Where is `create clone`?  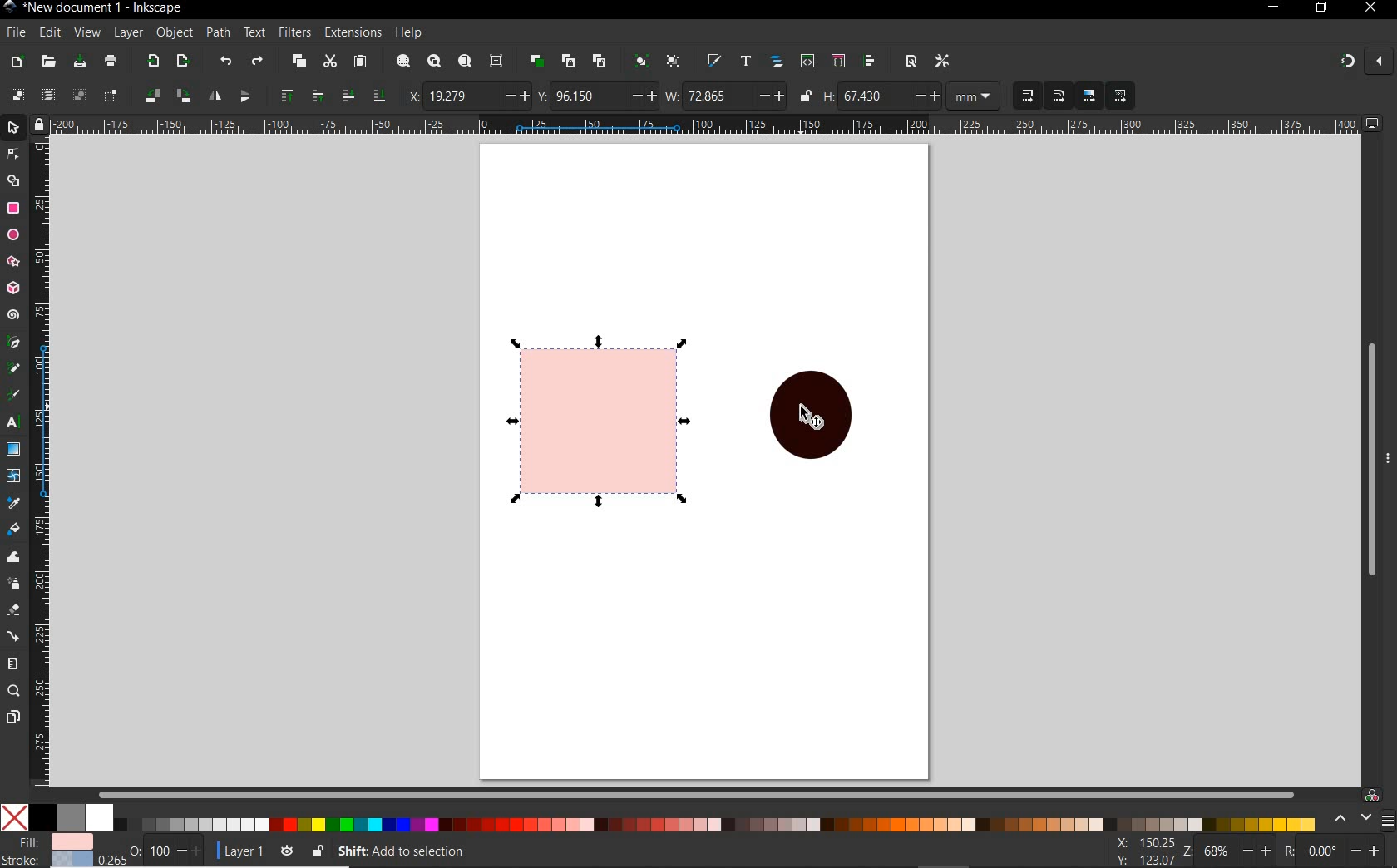
create clone is located at coordinates (569, 61).